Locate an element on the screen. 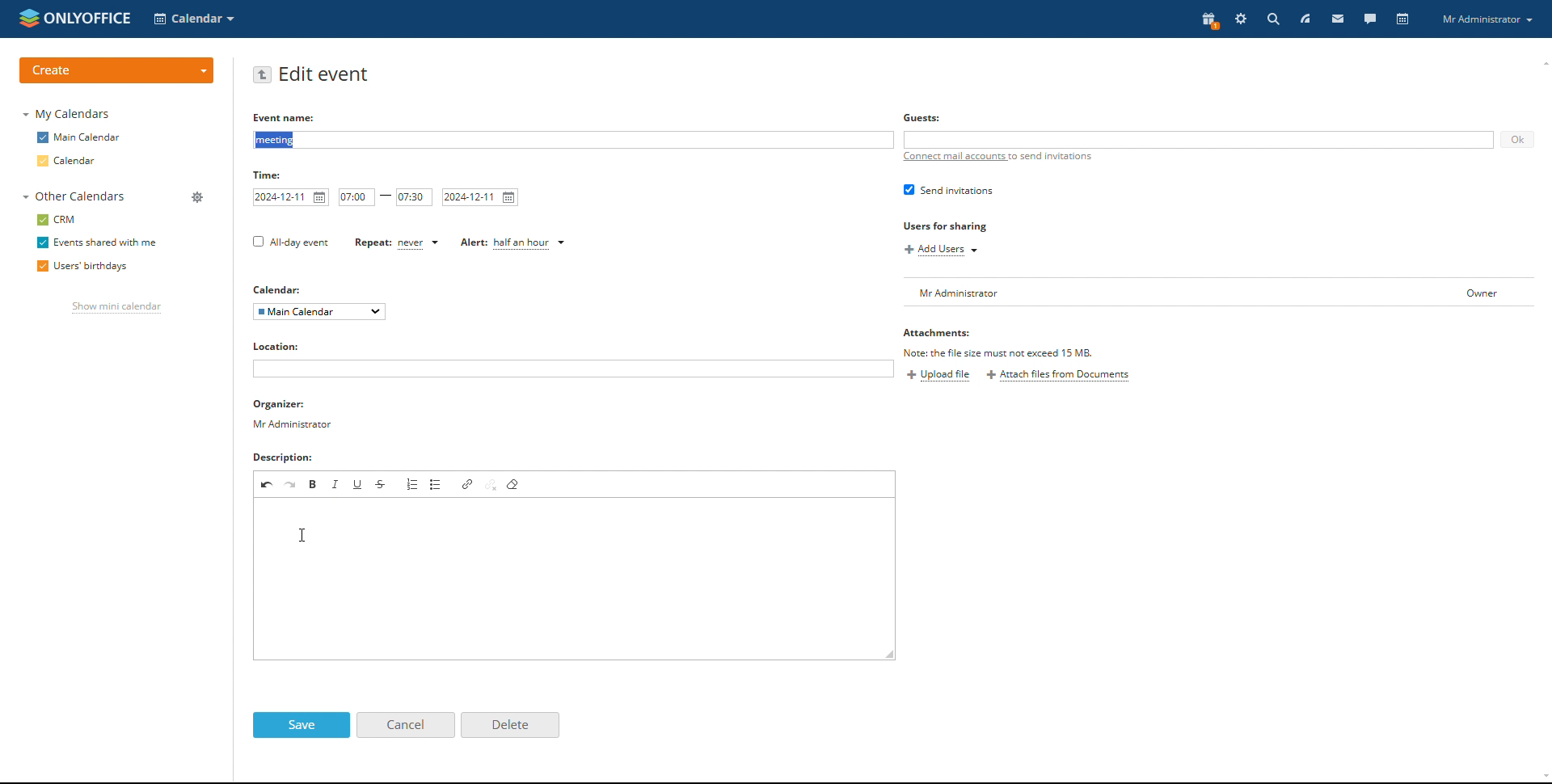  to send invitations is located at coordinates (1052, 157).